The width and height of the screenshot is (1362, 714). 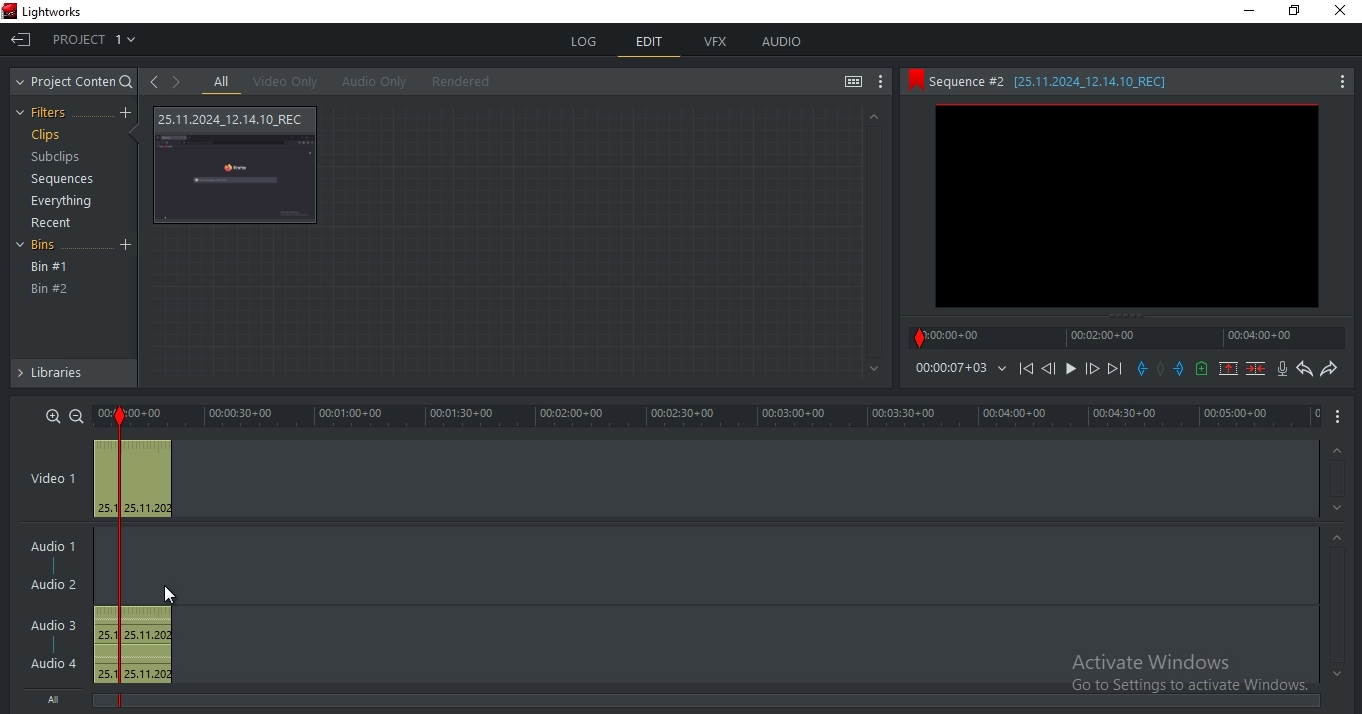 What do you see at coordinates (1025, 367) in the screenshot?
I see `playback icons` at bounding box center [1025, 367].